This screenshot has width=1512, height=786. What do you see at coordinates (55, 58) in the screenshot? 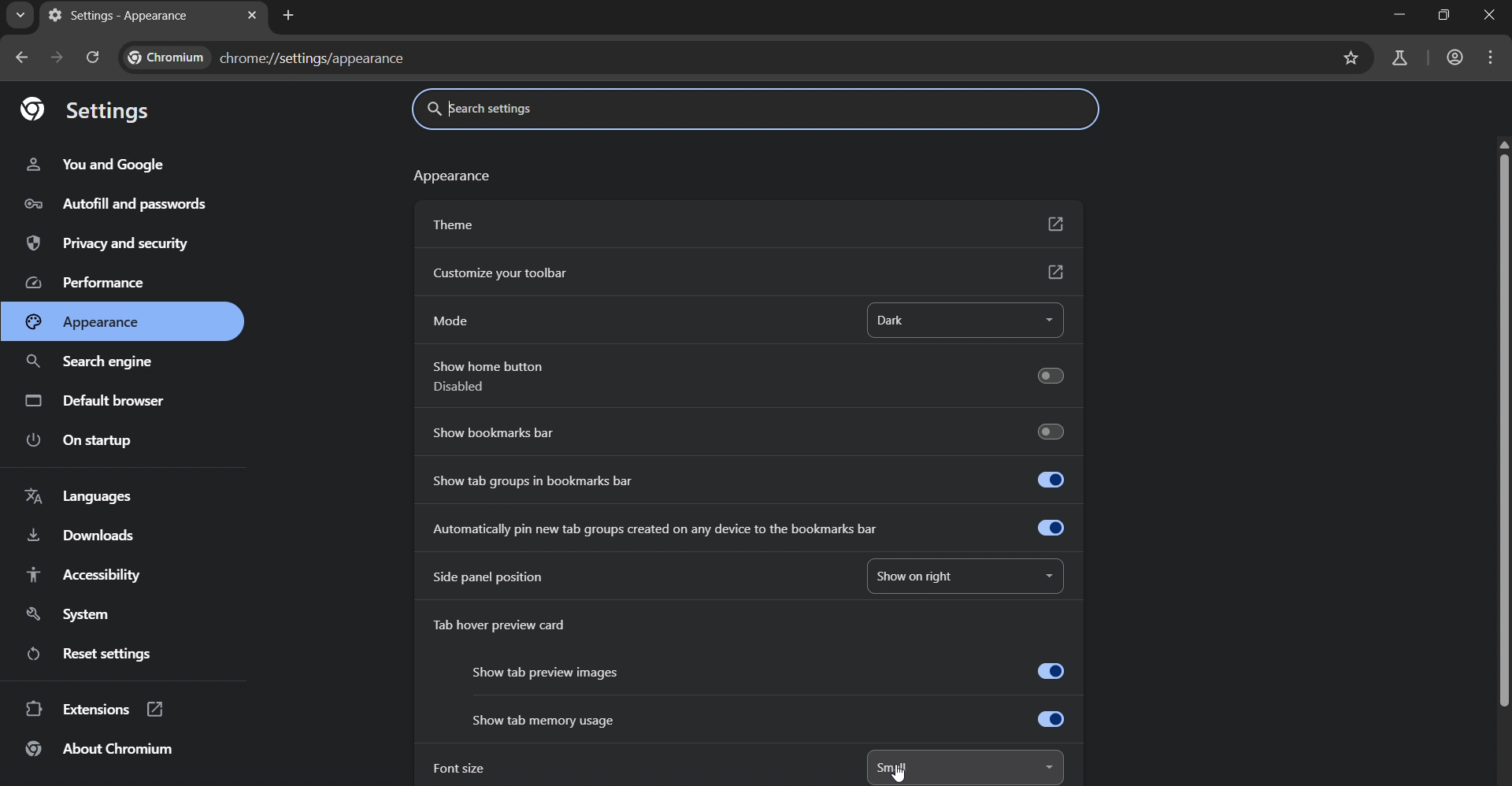
I see `go forward one page` at bounding box center [55, 58].